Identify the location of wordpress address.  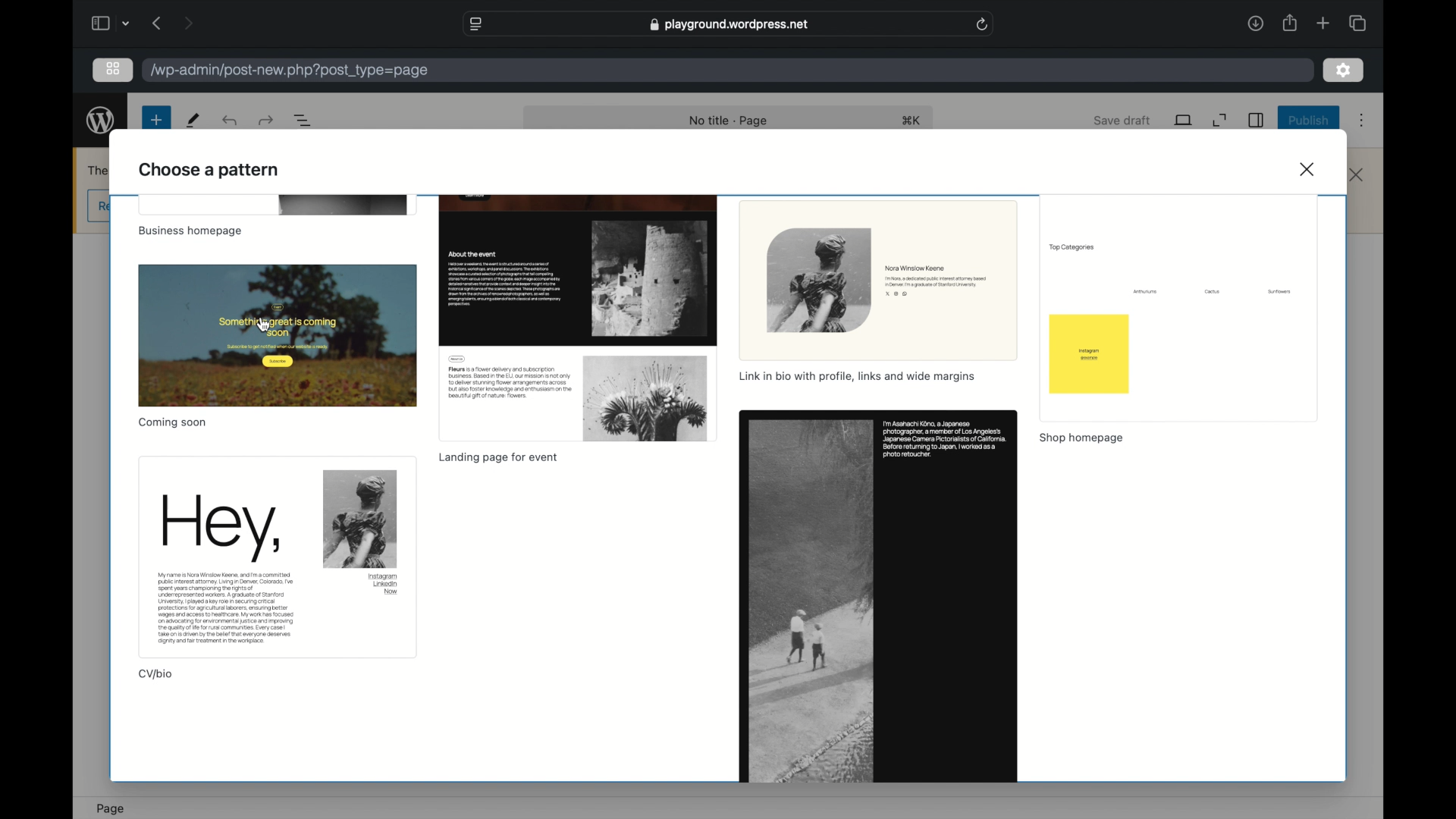
(288, 71).